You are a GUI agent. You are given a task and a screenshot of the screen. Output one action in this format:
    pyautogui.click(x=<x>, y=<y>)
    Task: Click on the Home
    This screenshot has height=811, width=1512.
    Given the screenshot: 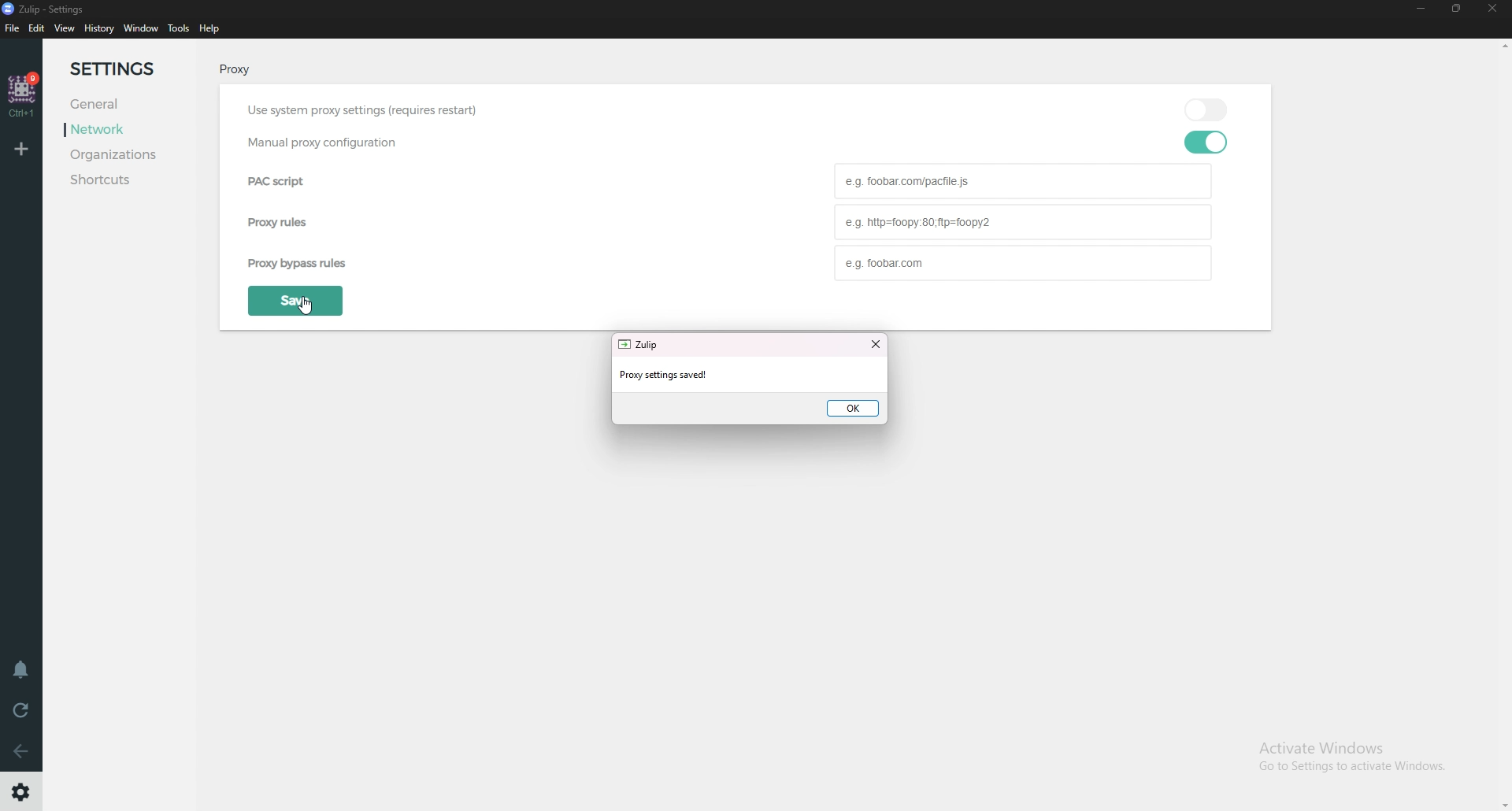 What is the action you would take?
    pyautogui.click(x=24, y=95)
    